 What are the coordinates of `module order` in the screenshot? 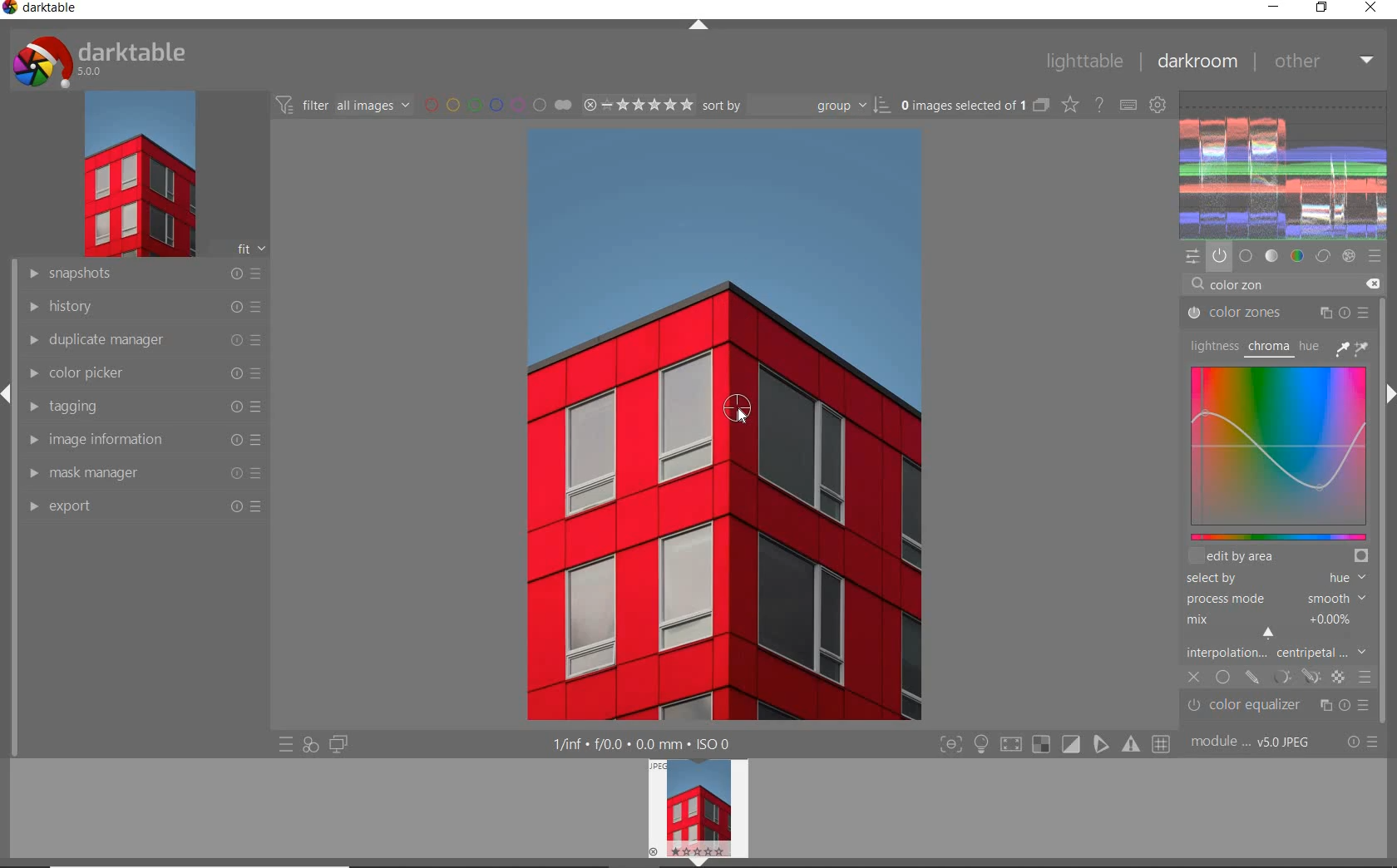 It's located at (1255, 743).